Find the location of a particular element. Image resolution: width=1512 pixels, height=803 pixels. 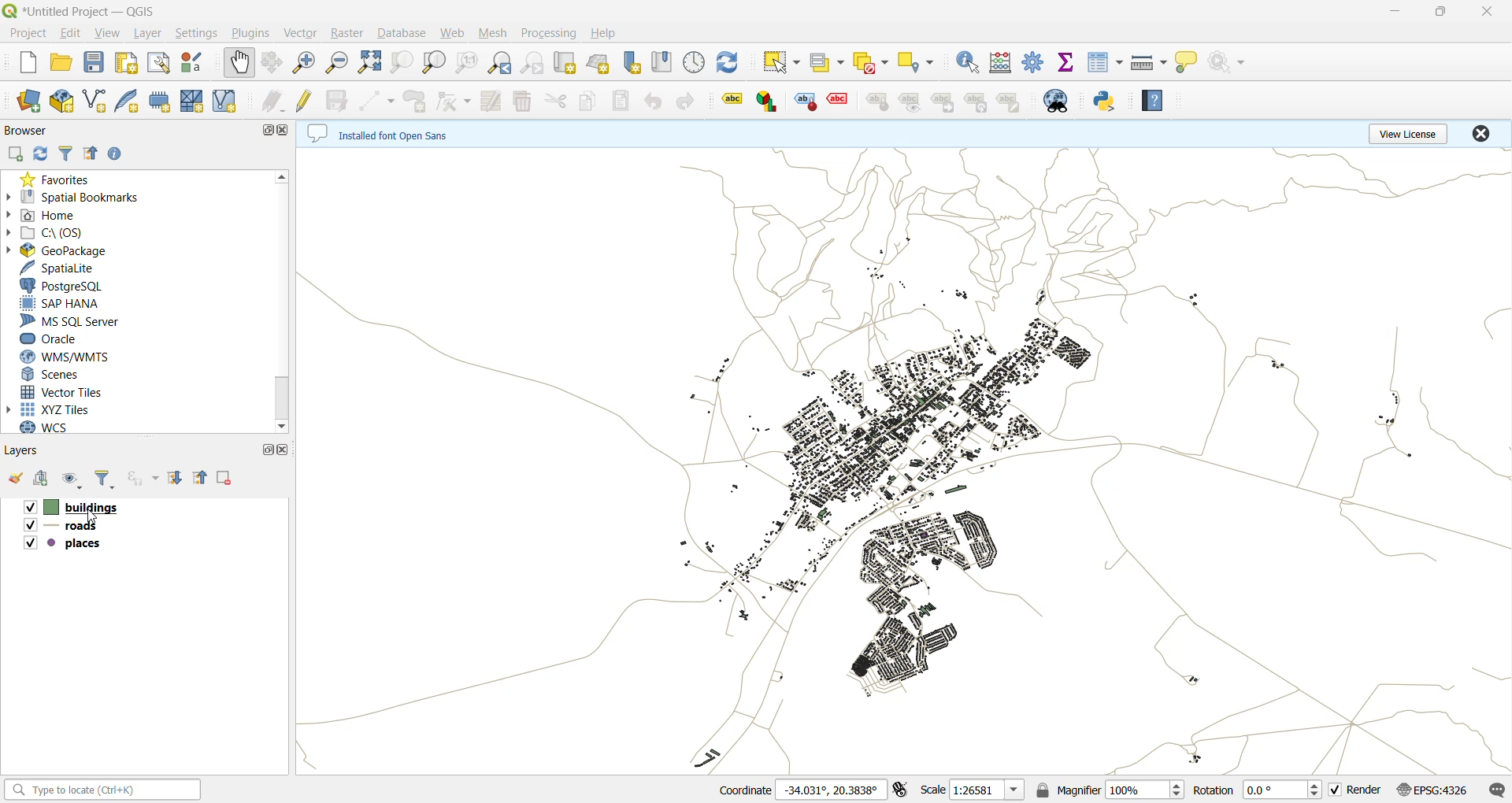

rotate a label is located at coordinates (981, 101).